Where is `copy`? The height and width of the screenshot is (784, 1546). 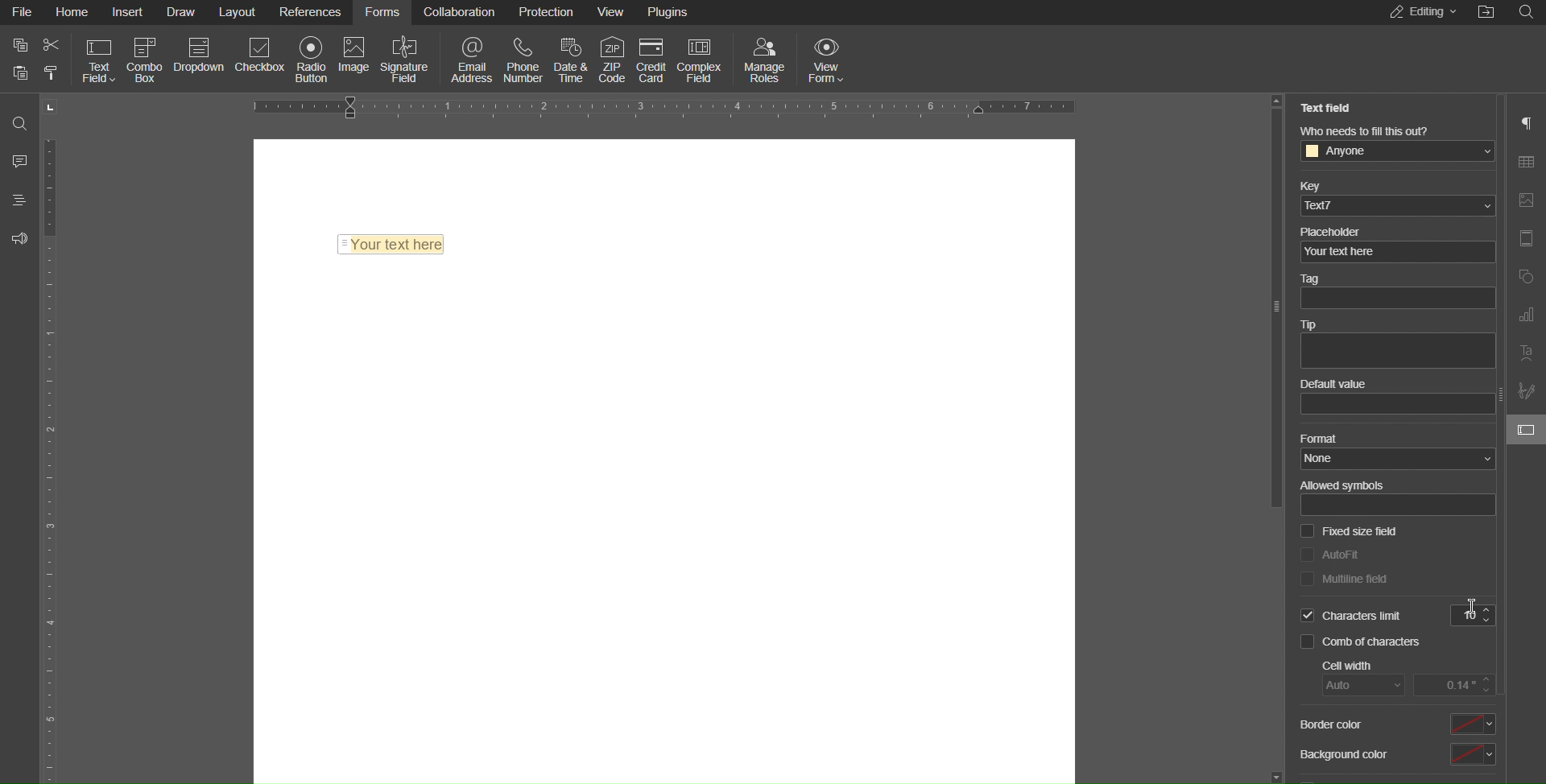 copy is located at coordinates (19, 45).